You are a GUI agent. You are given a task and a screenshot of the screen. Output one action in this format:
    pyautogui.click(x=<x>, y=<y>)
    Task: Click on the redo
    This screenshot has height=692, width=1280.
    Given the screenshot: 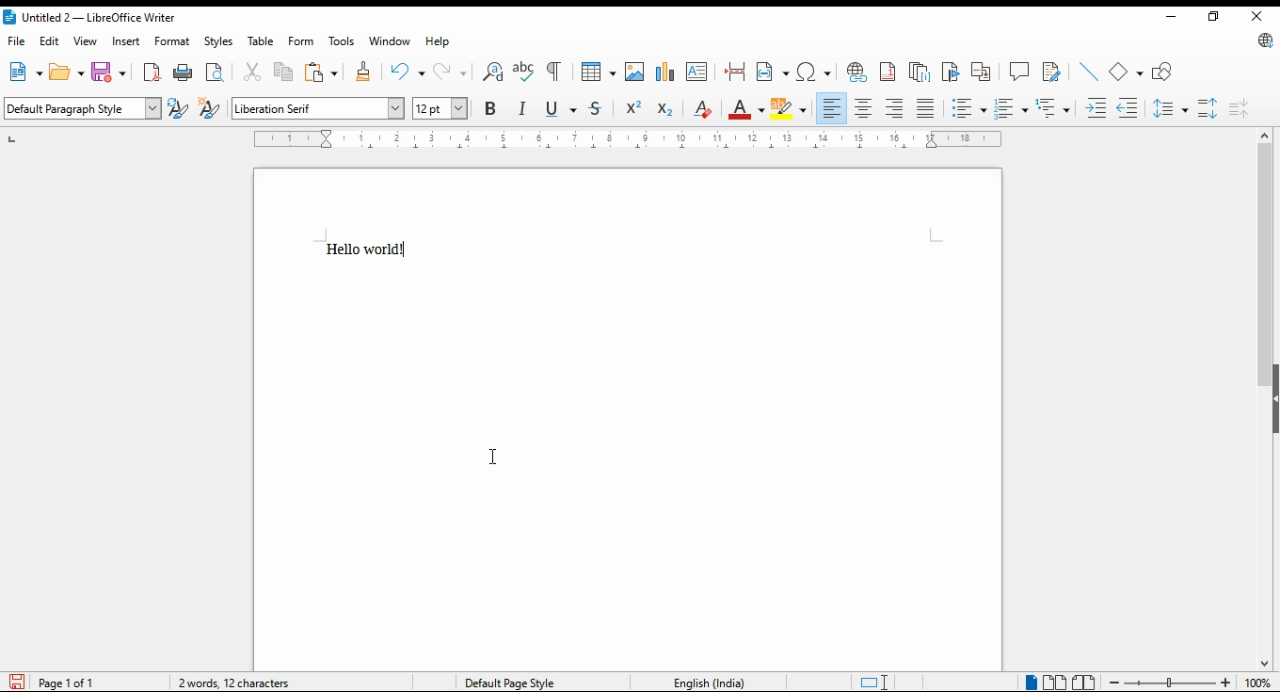 What is the action you would take?
    pyautogui.click(x=454, y=71)
    